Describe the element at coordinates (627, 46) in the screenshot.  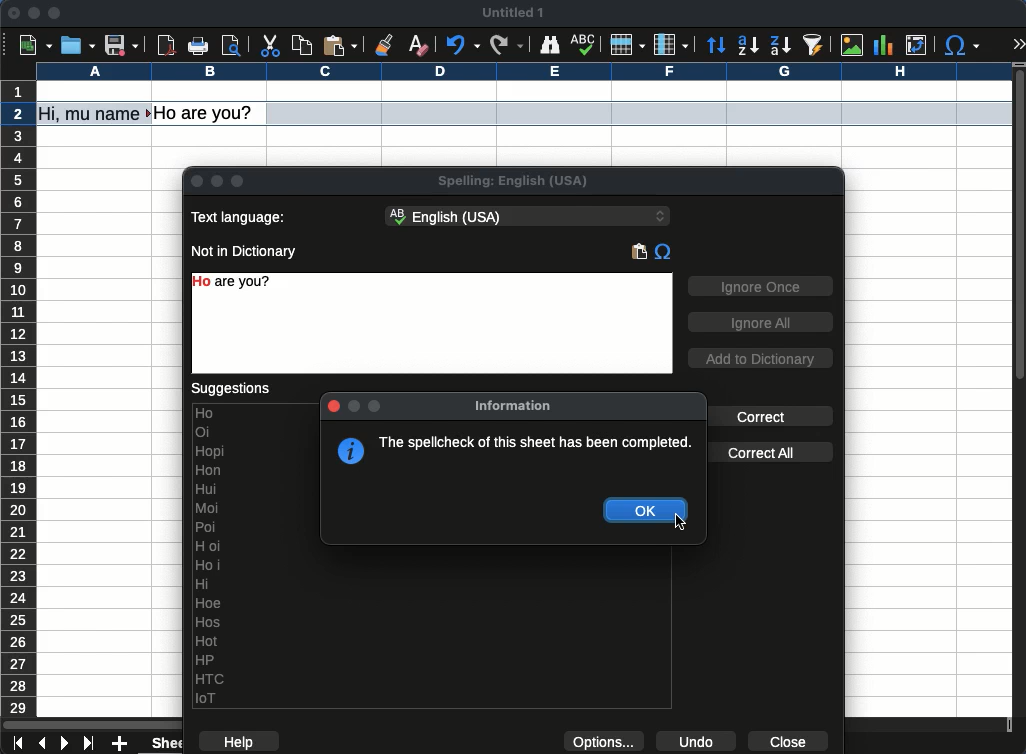
I see `row` at that location.